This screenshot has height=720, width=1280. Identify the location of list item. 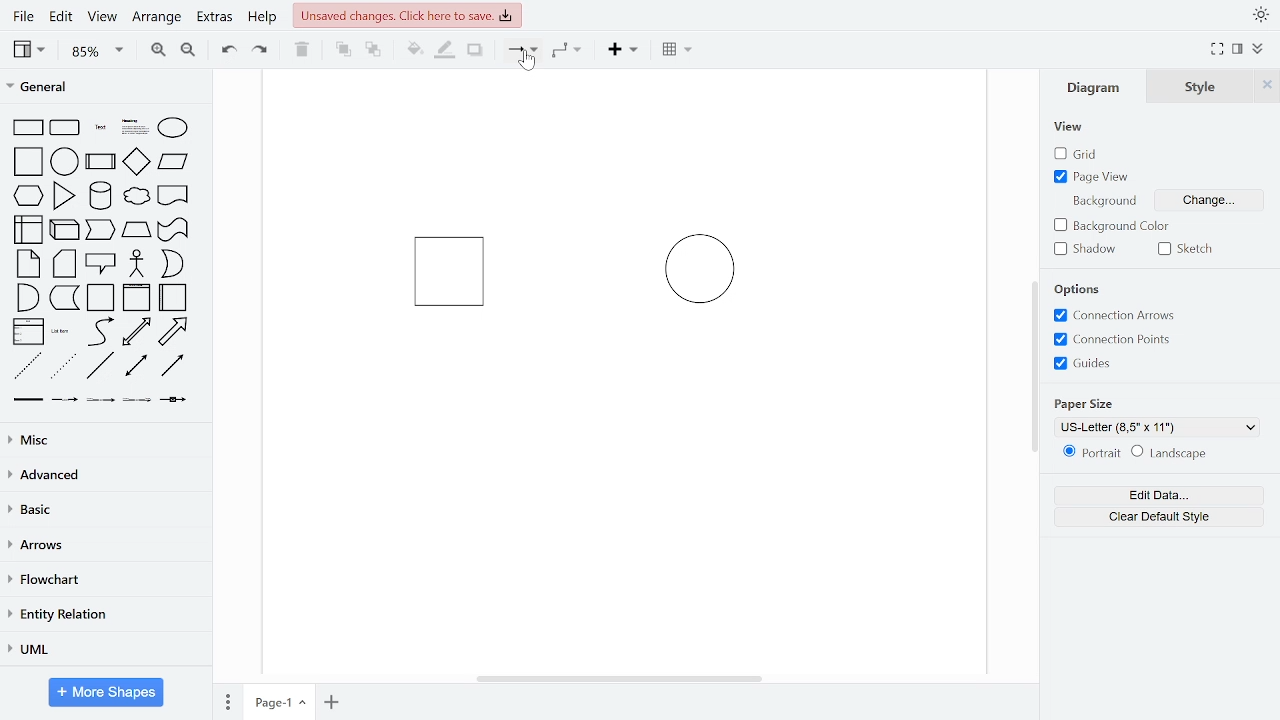
(61, 331).